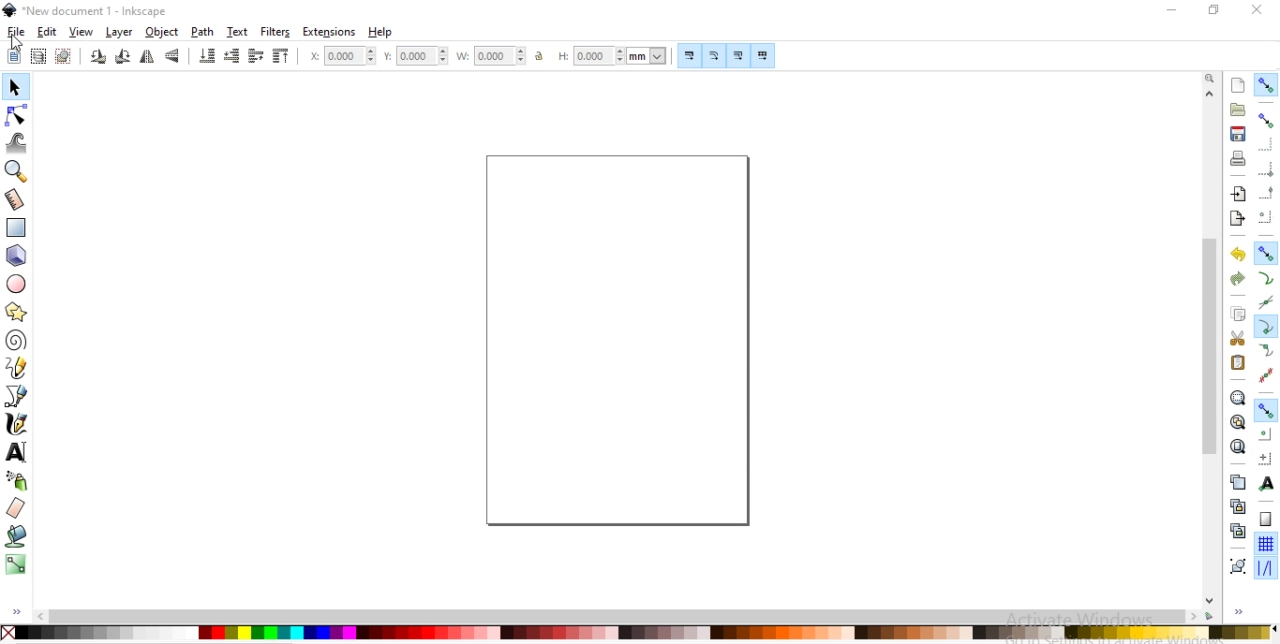 The height and width of the screenshot is (644, 1280). I want to click on enable snapping, so click(1265, 85).